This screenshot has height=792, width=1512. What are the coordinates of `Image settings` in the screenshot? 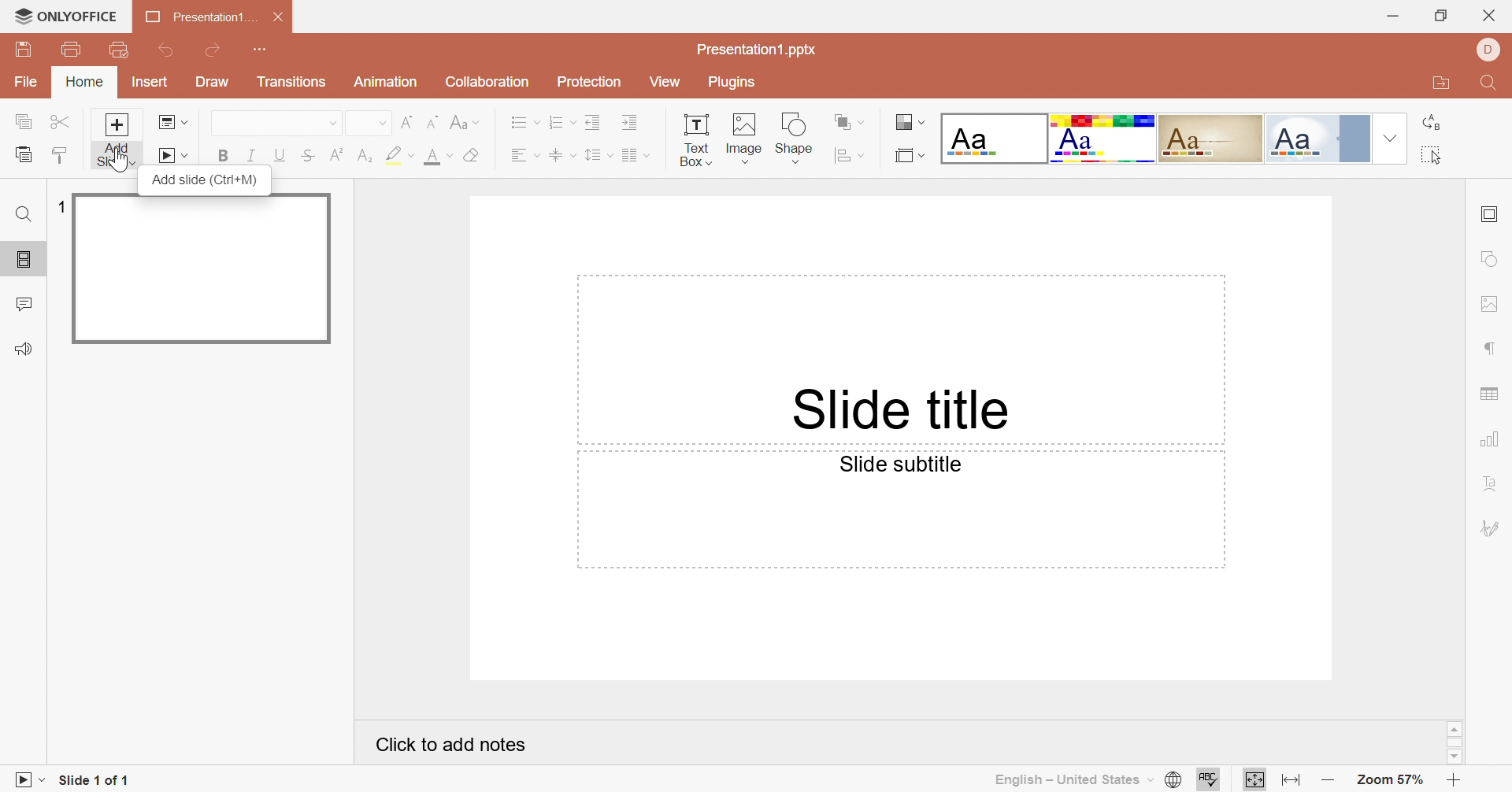 It's located at (1487, 303).